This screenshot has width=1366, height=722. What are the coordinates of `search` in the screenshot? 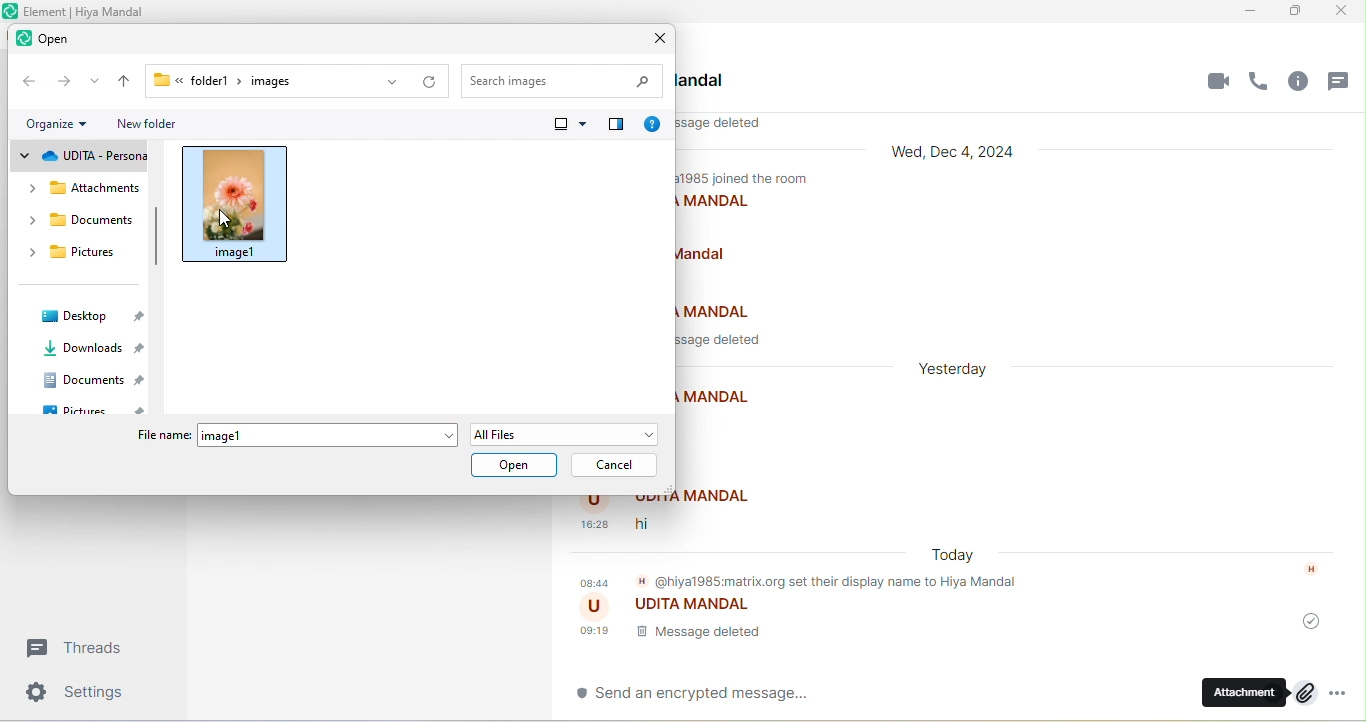 It's located at (562, 79).